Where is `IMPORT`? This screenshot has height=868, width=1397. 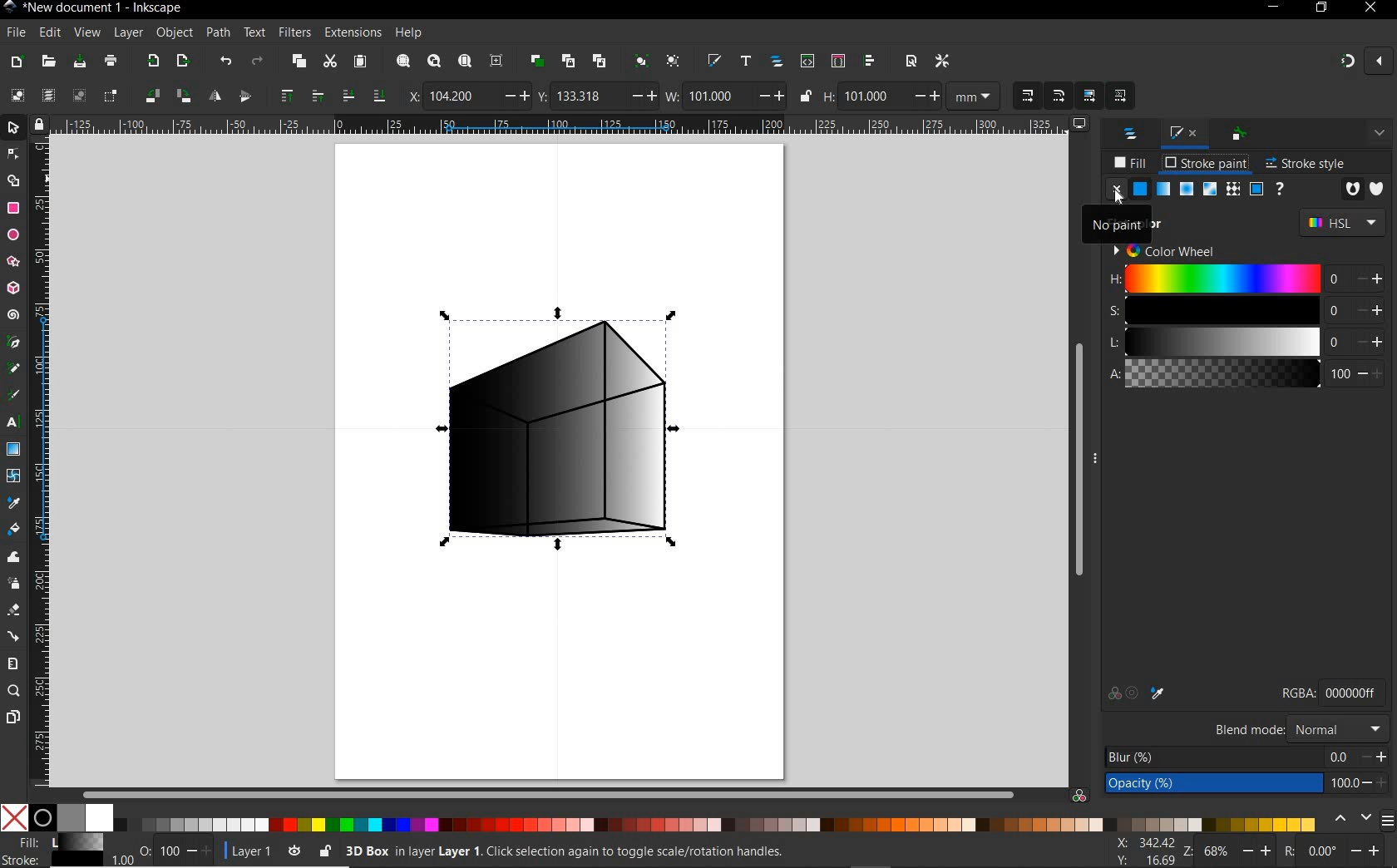
IMPORT is located at coordinates (152, 60).